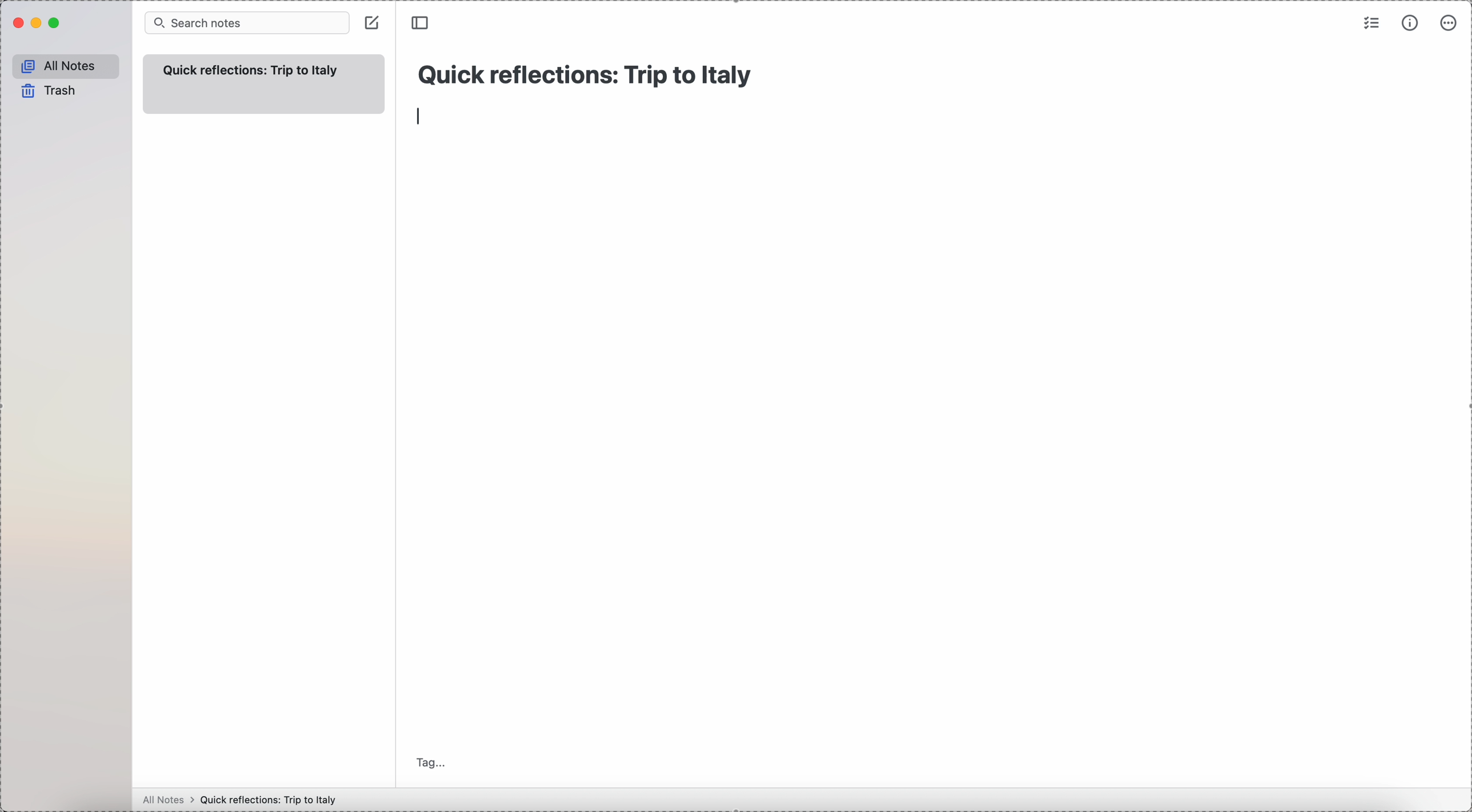 The width and height of the screenshot is (1472, 812). I want to click on maximize, so click(56, 23).